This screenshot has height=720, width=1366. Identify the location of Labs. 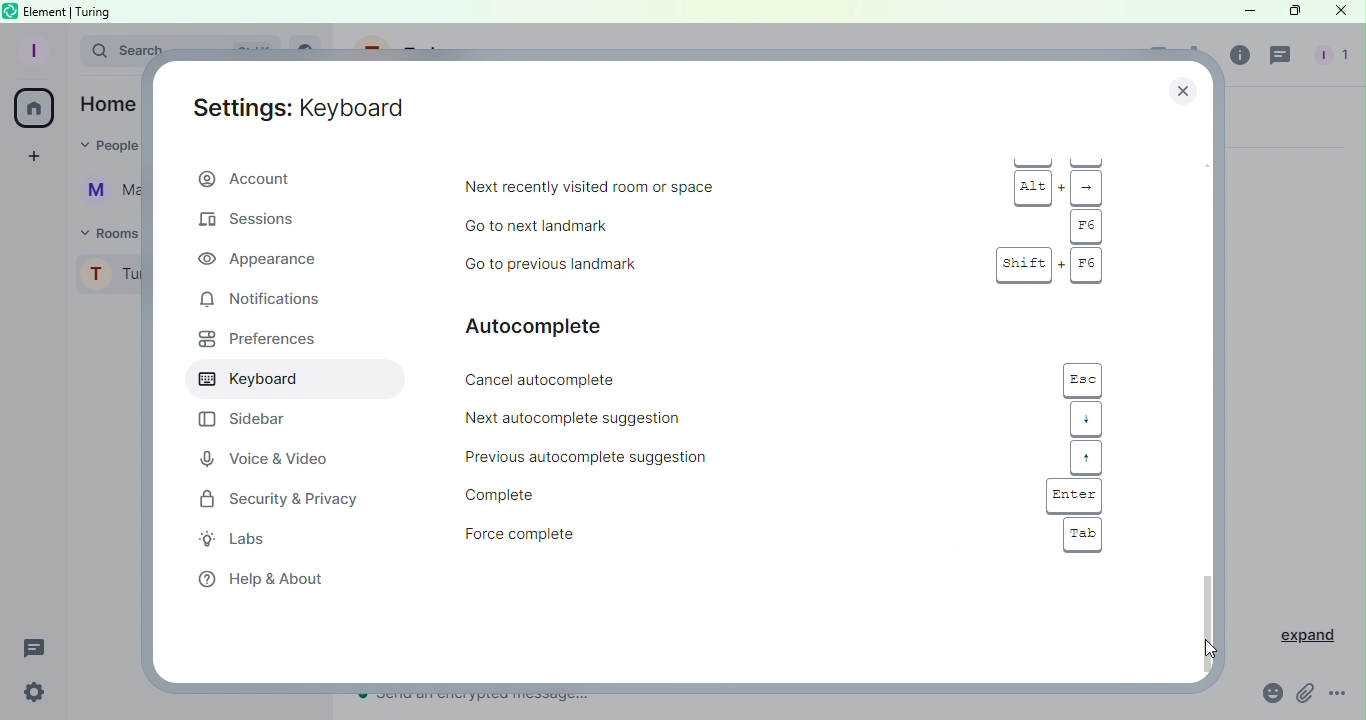
(245, 541).